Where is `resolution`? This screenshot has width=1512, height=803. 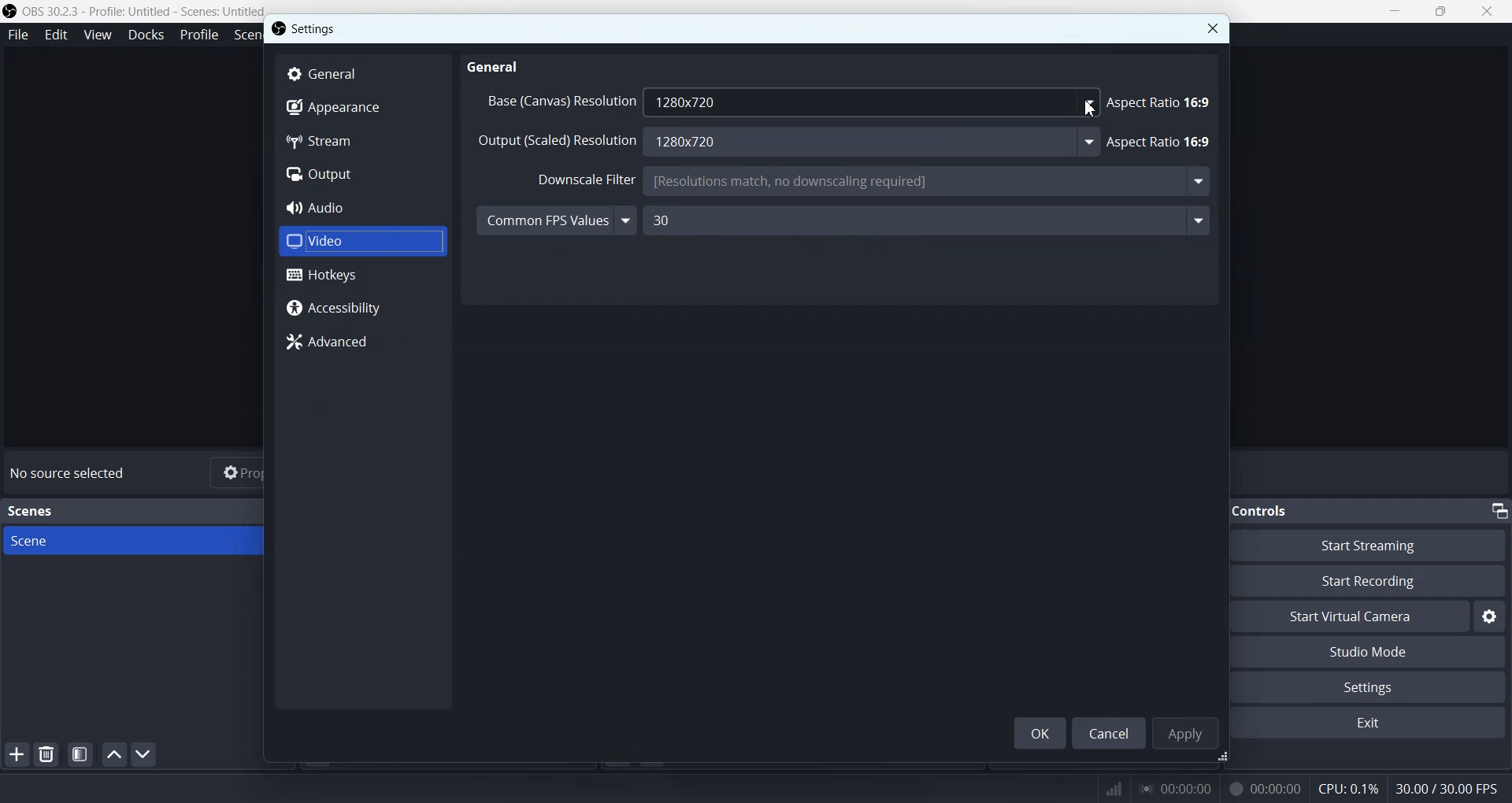
resolution is located at coordinates (554, 99).